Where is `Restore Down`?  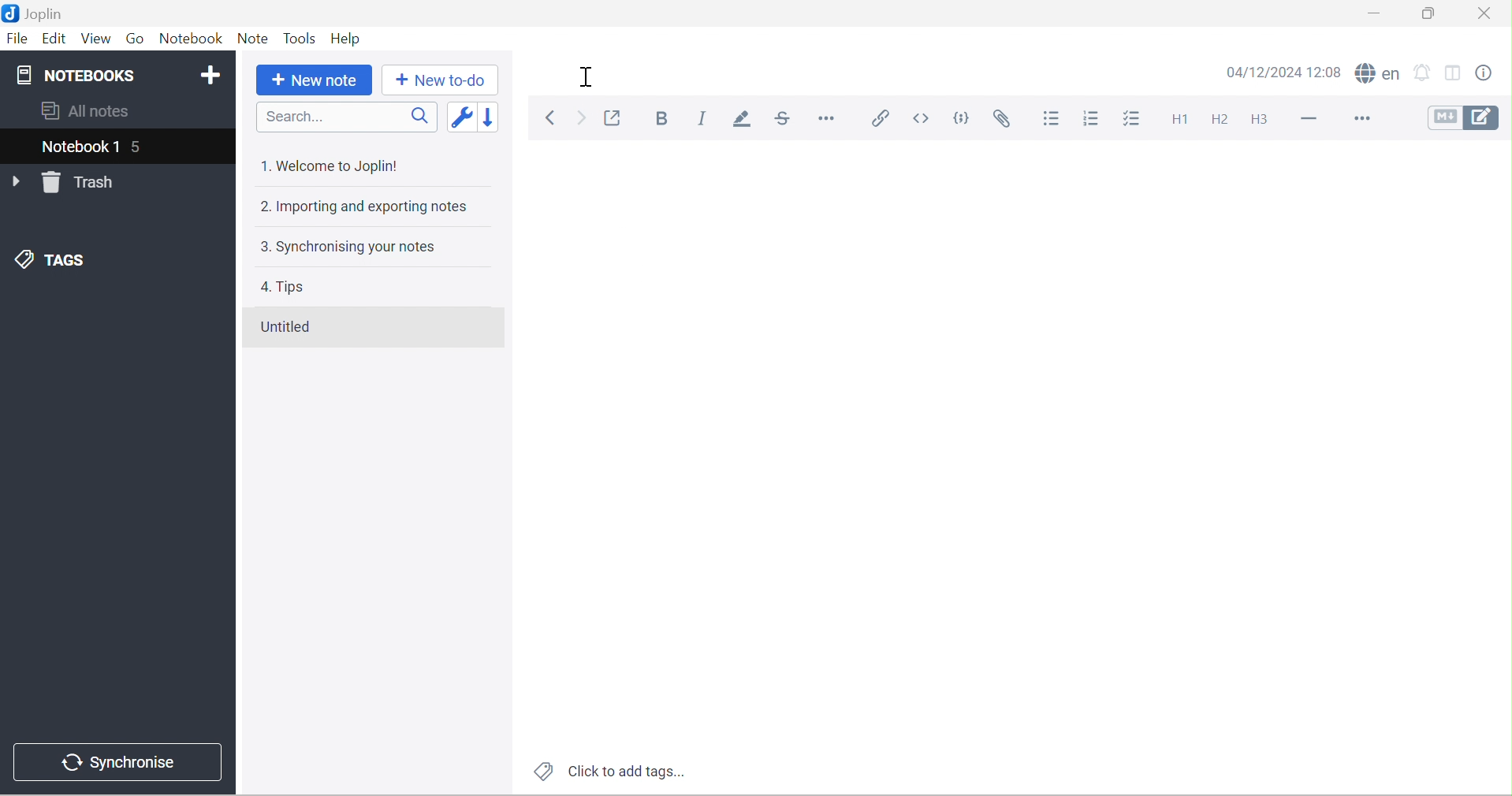
Restore Down is located at coordinates (1432, 13).